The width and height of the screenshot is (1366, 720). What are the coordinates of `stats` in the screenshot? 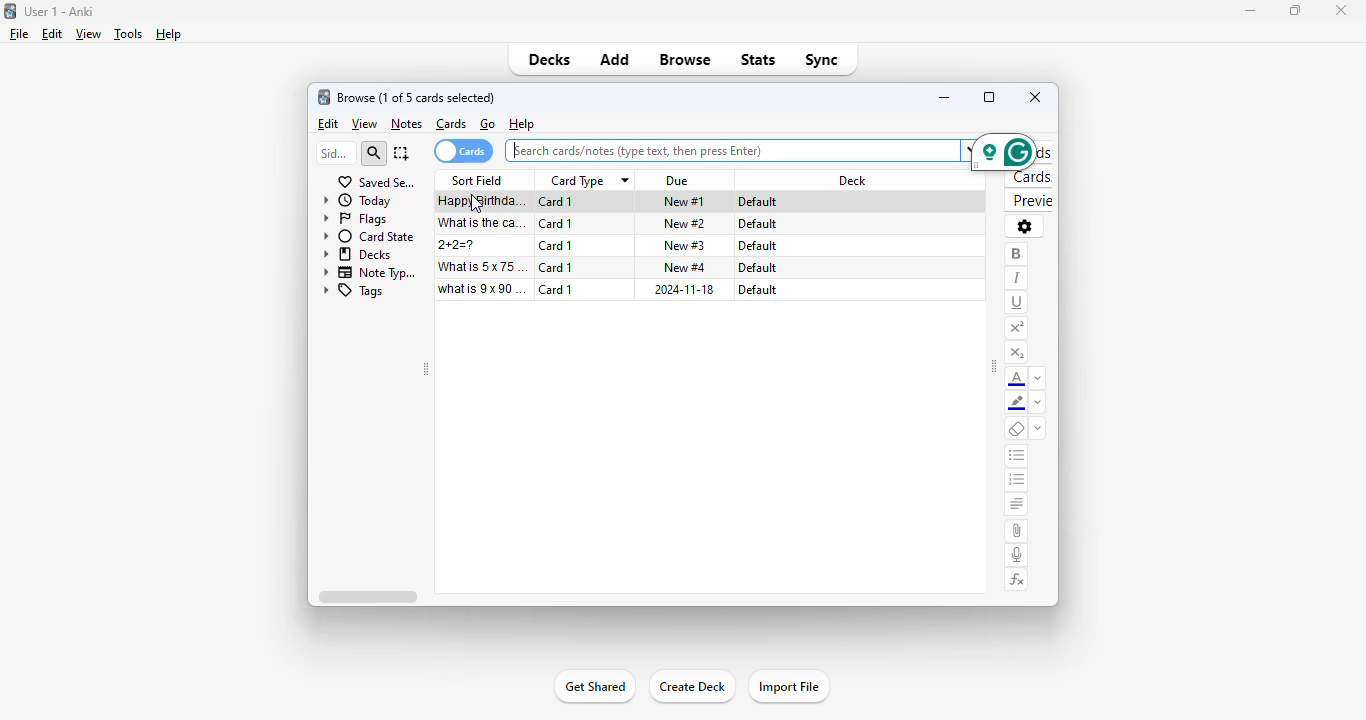 It's located at (759, 59).